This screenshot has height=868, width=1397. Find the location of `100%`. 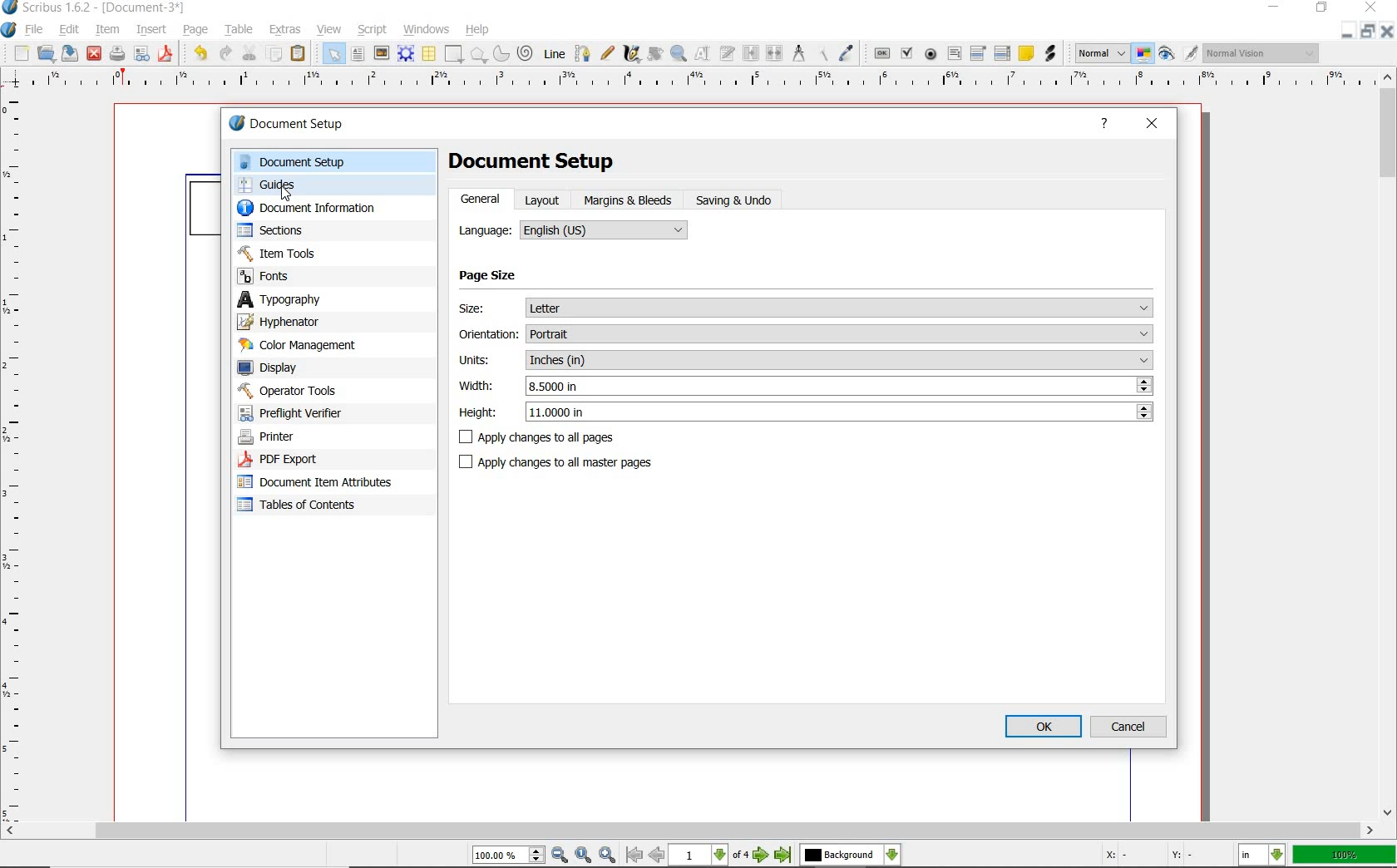

100% is located at coordinates (1345, 855).